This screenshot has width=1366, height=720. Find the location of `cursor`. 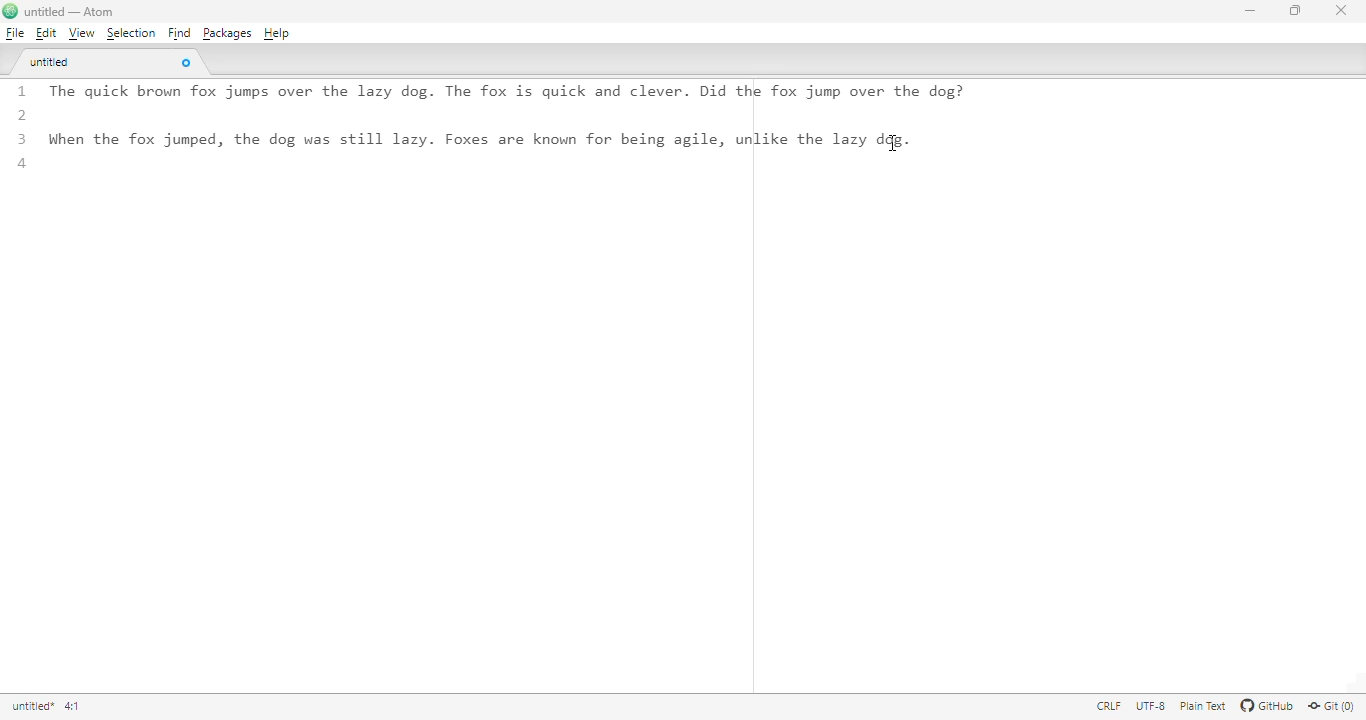

cursor is located at coordinates (894, 142).